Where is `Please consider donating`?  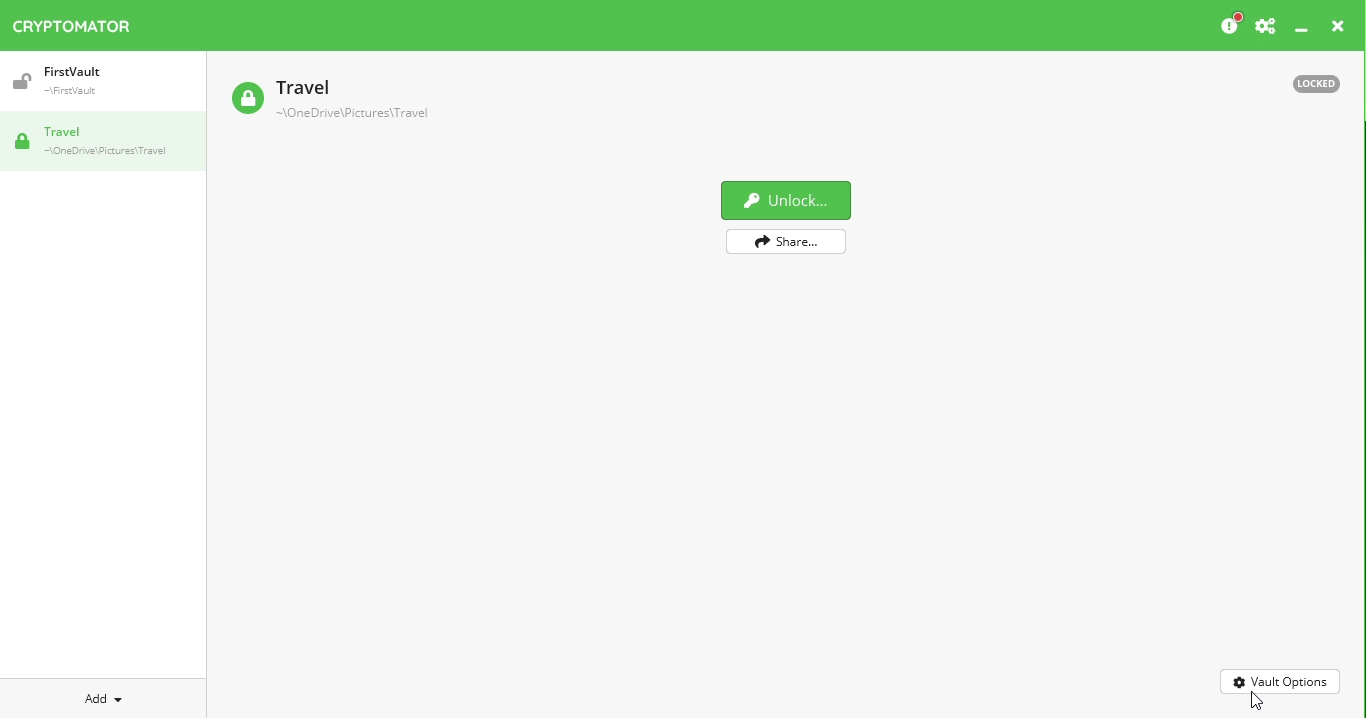
Please consider donating is located at coordinates (1224, 24).